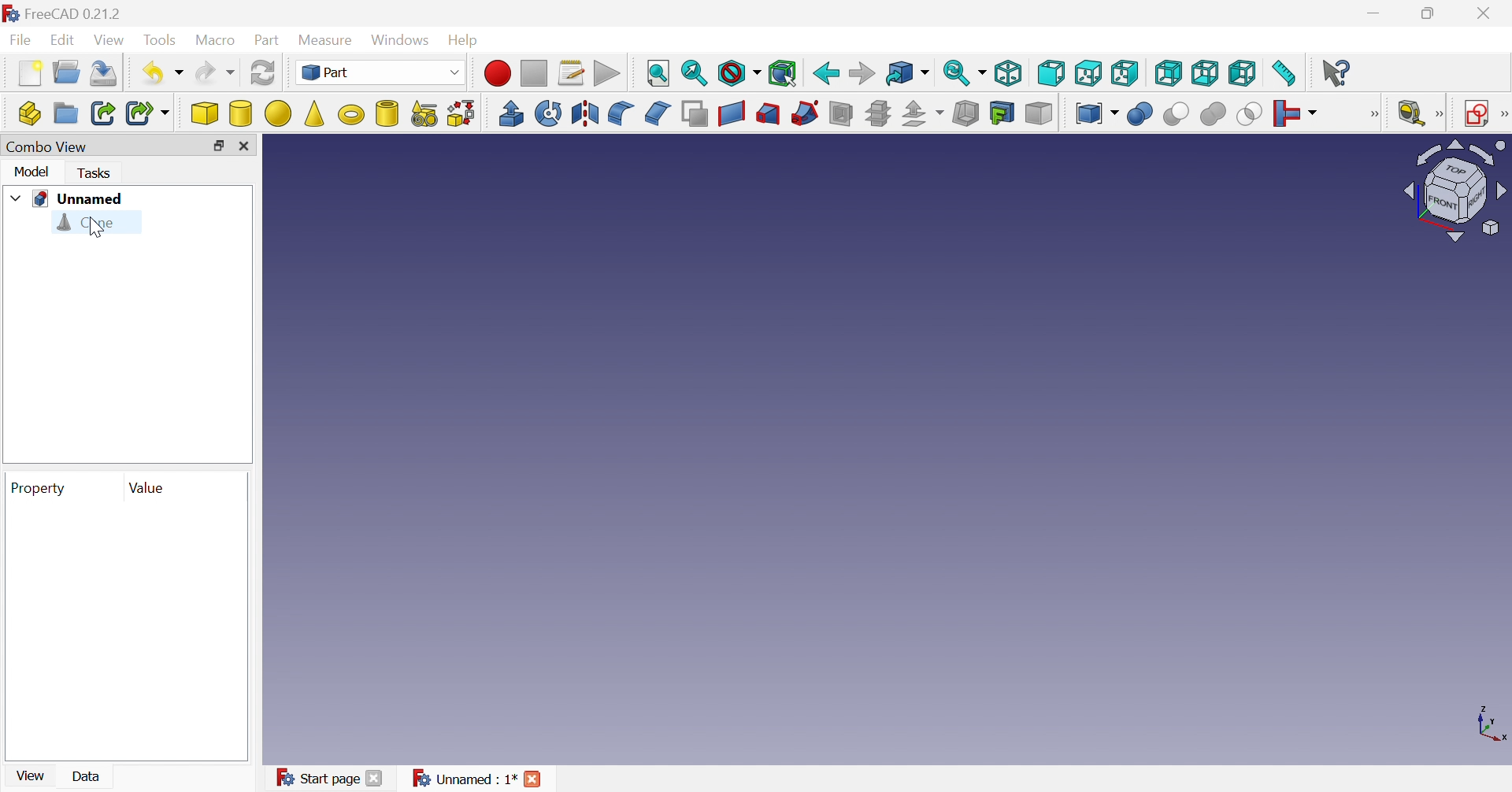  Describe the element at coordinates (264, 75) in the screenshot. I see `Refresh` at that location.